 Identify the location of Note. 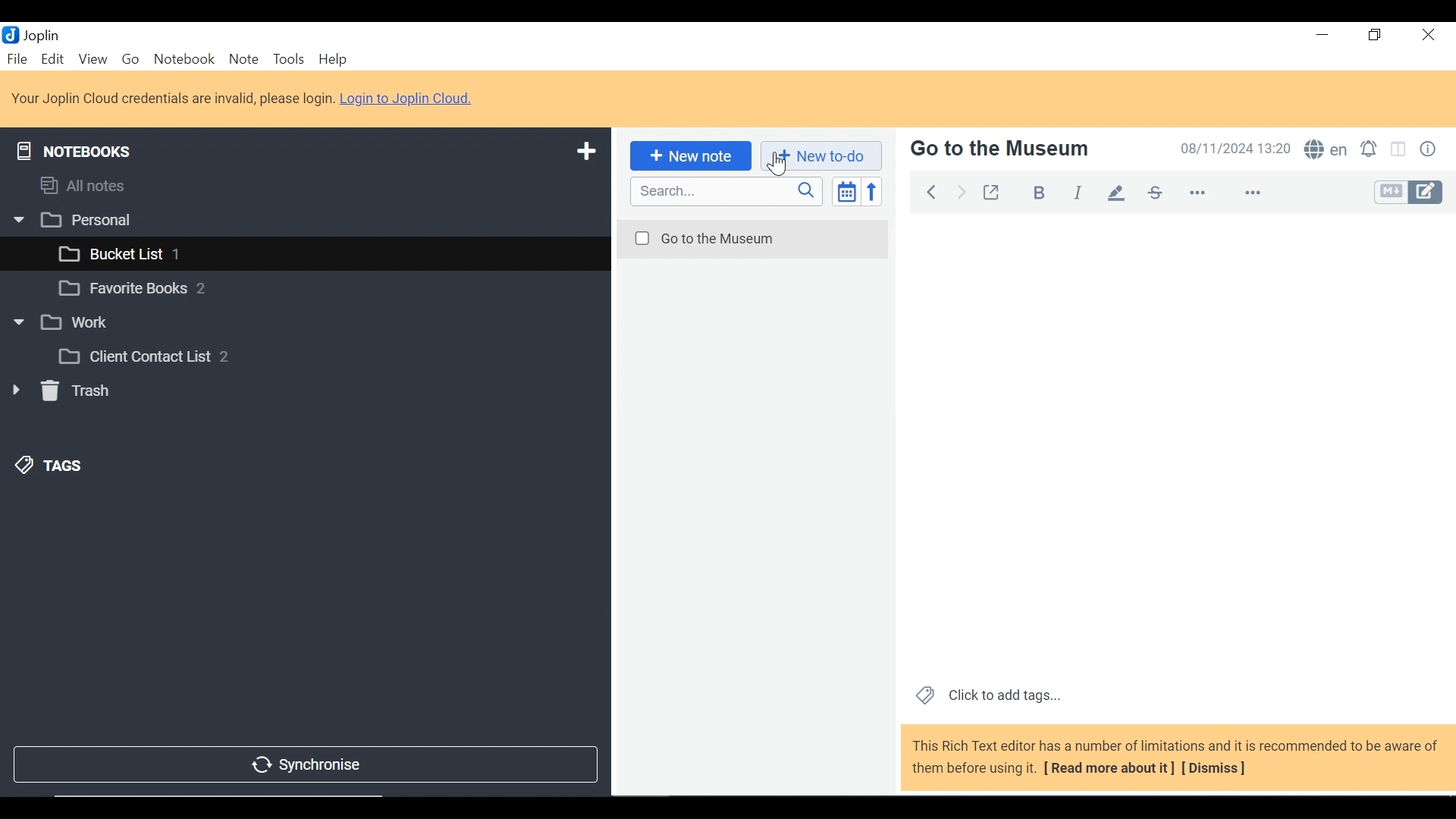
(243, 60).